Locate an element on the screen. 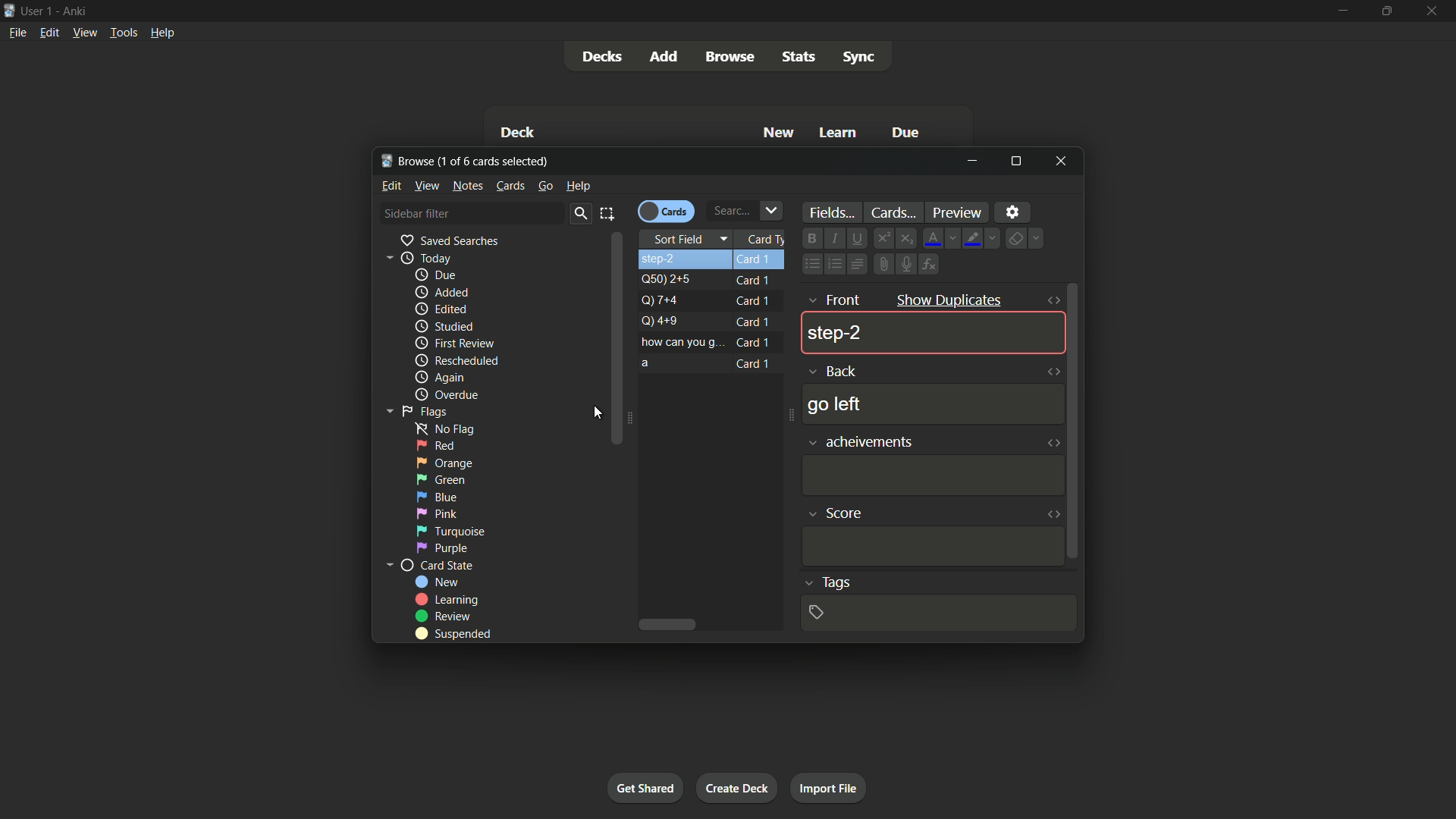 The image size is (1456, 819). Tags is located at coordinates (825, 583).